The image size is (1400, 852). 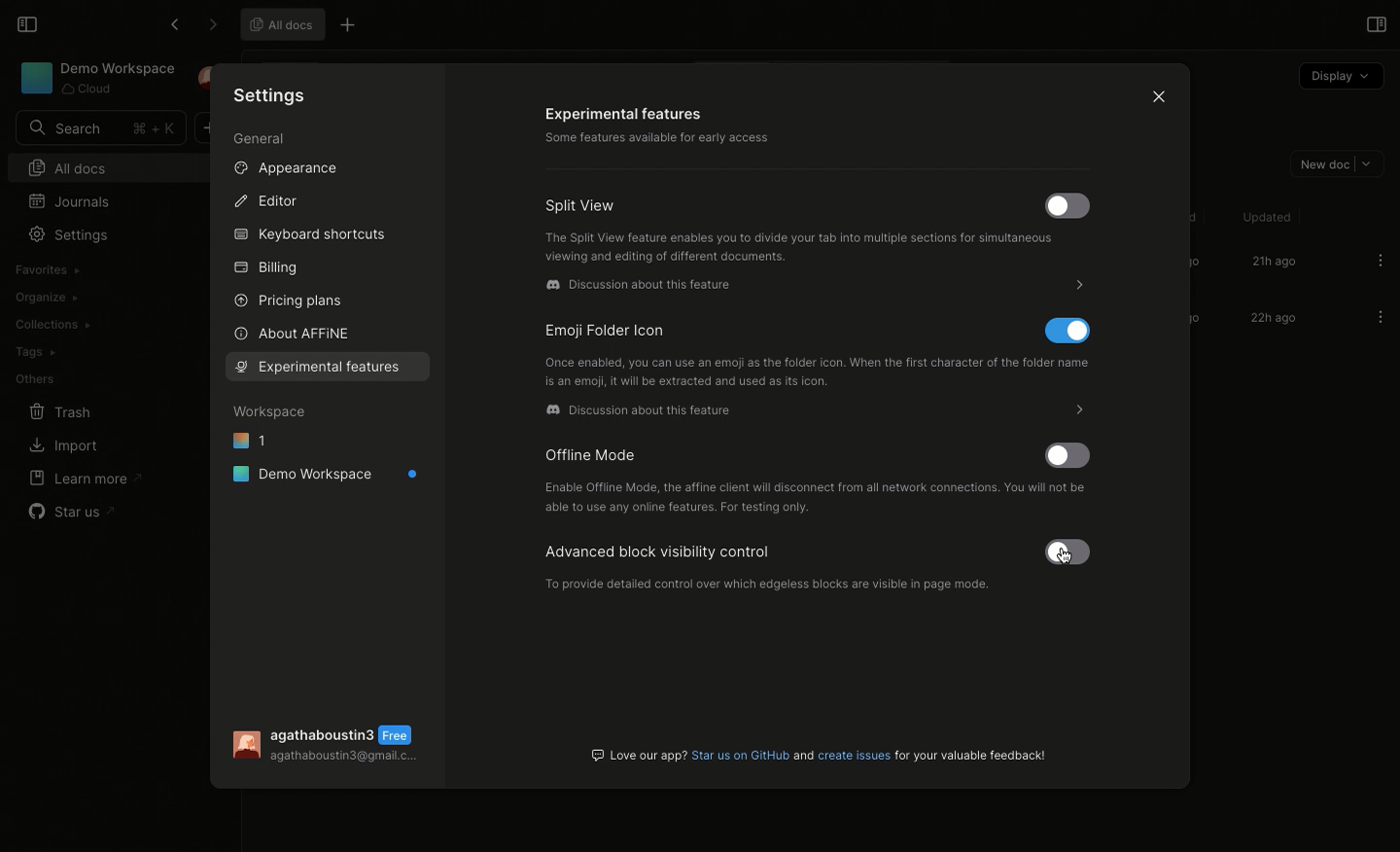 What do you see at coordinates (1340, 77) in the screenshot?
I see `Display` at bounding box center [1340, 77].